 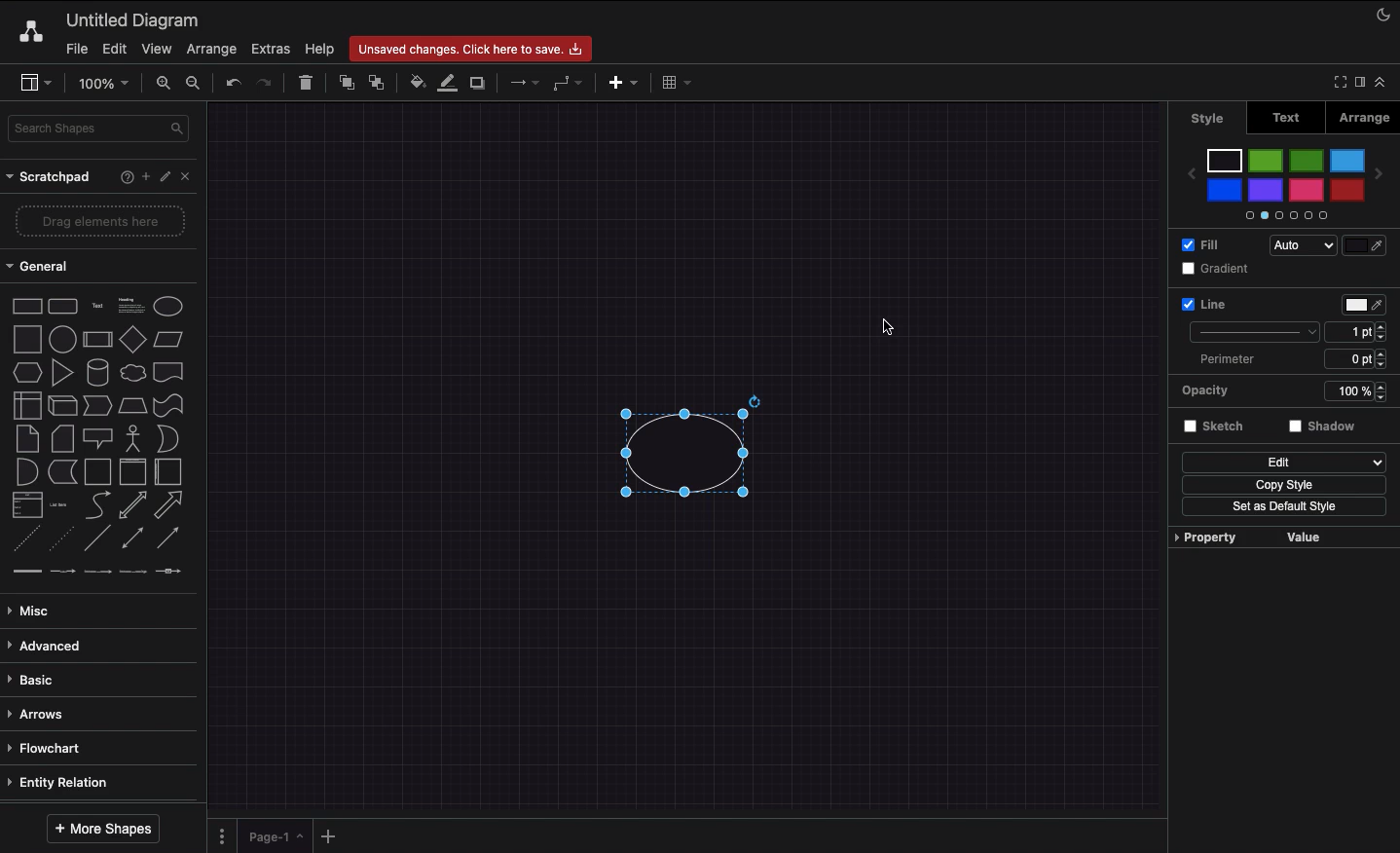 I want to click on Slider, so click(x=1291, y=214).